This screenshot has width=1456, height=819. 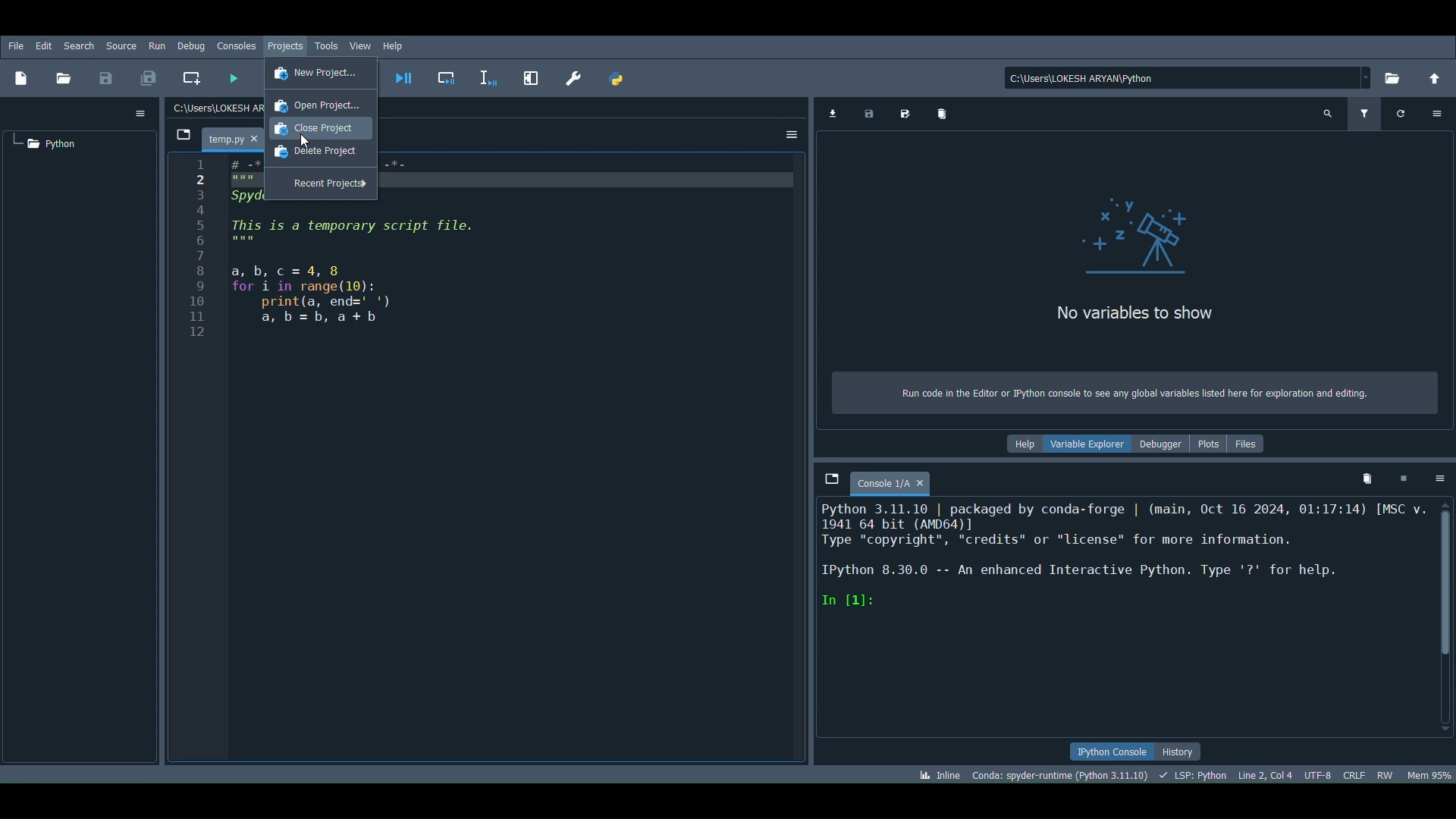 What do you see at coordinates (1432, 770) in the screenshot?
I see `Global memory usage` at bounding box center [1432, 770].